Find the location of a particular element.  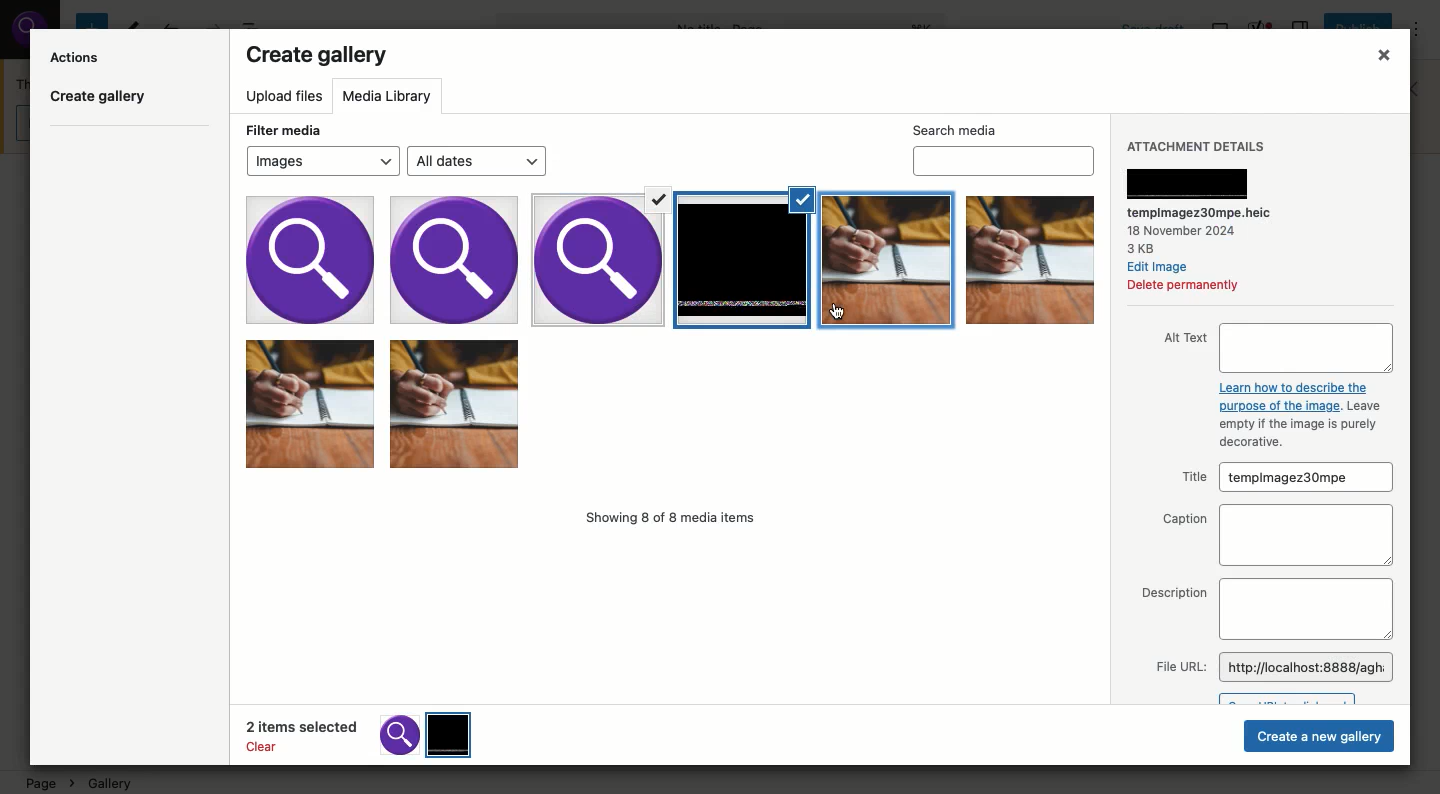

Selected is located at coordinates (674, 263).